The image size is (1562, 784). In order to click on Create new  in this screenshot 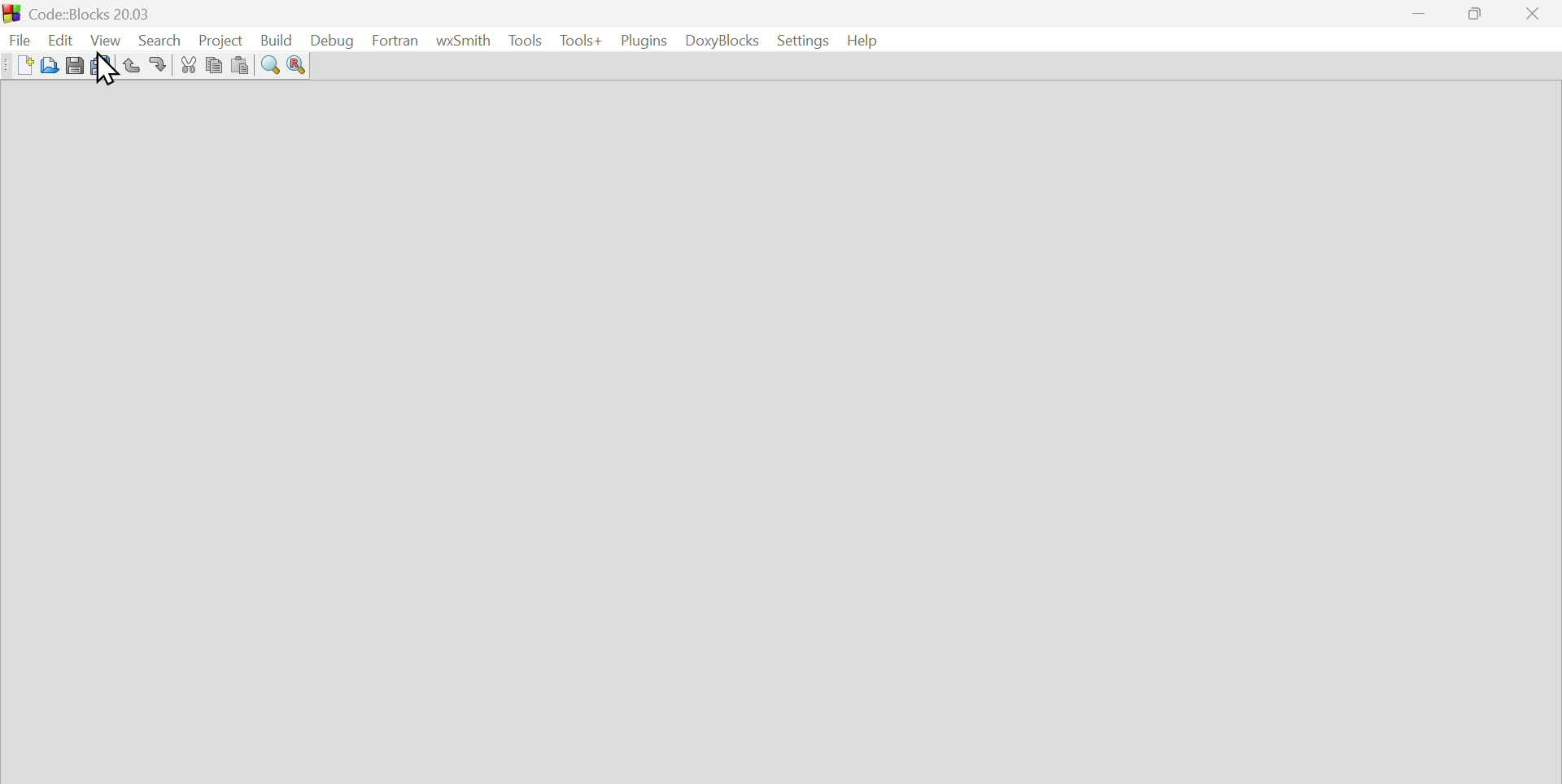, I will do `click(25, 64)`.